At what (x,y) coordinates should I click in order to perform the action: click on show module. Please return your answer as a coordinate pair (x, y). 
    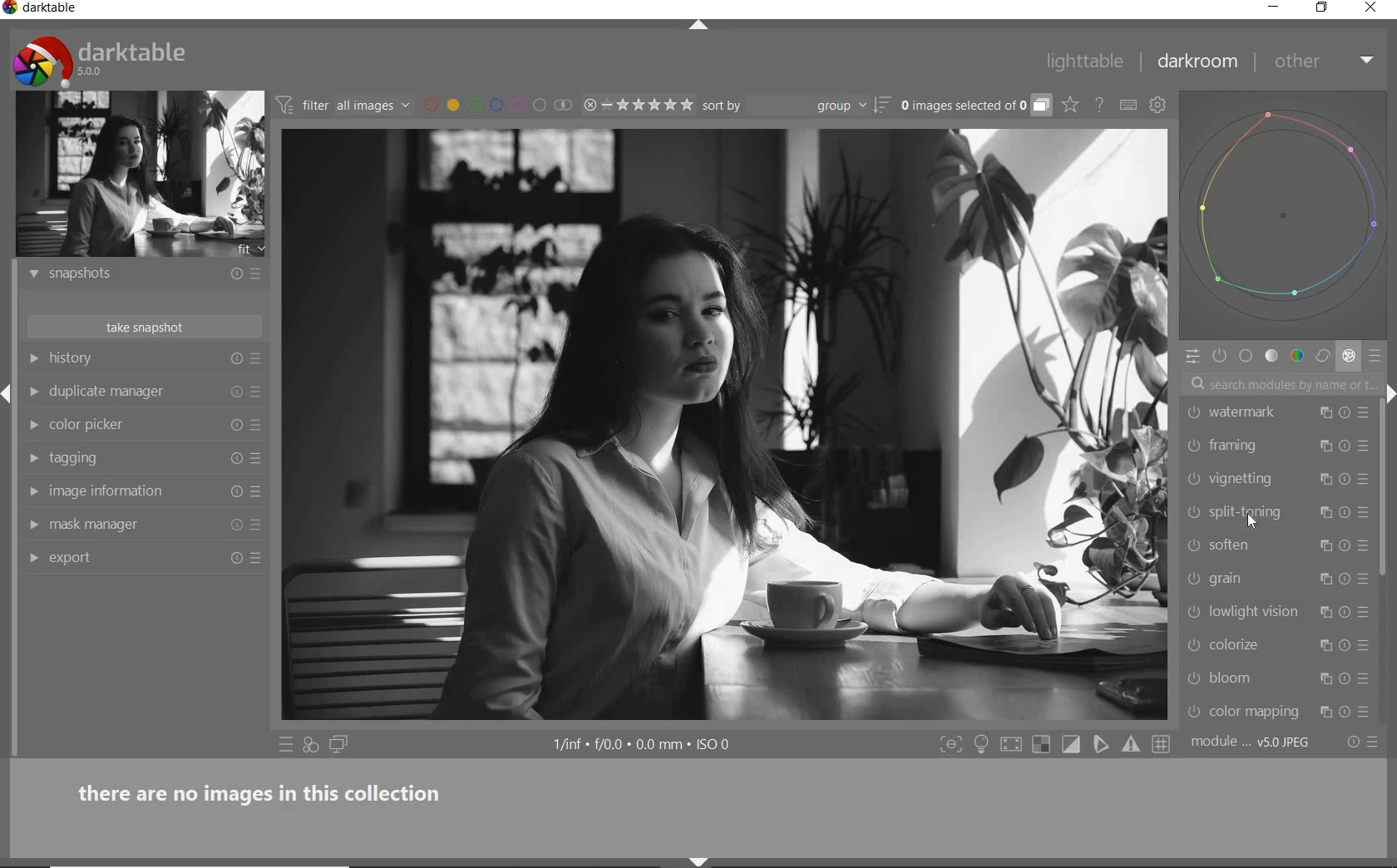
    Looking at the image, I should click on (37, 426).